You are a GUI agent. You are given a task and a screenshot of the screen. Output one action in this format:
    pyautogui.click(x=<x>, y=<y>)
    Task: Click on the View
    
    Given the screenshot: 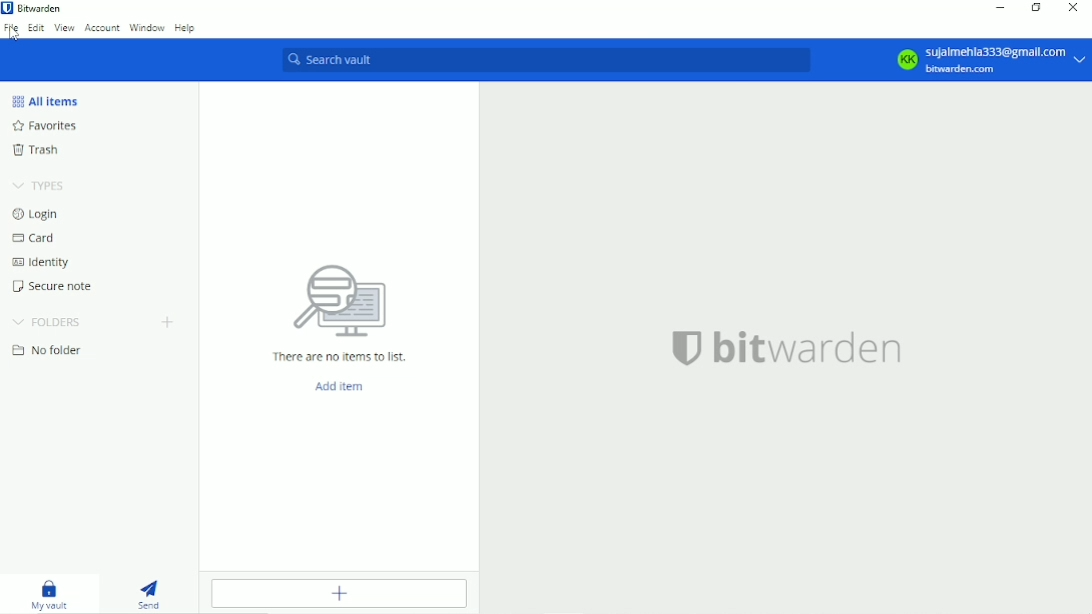 What is the action you would take?
    pyautogui.click(x=63, y=29)
    